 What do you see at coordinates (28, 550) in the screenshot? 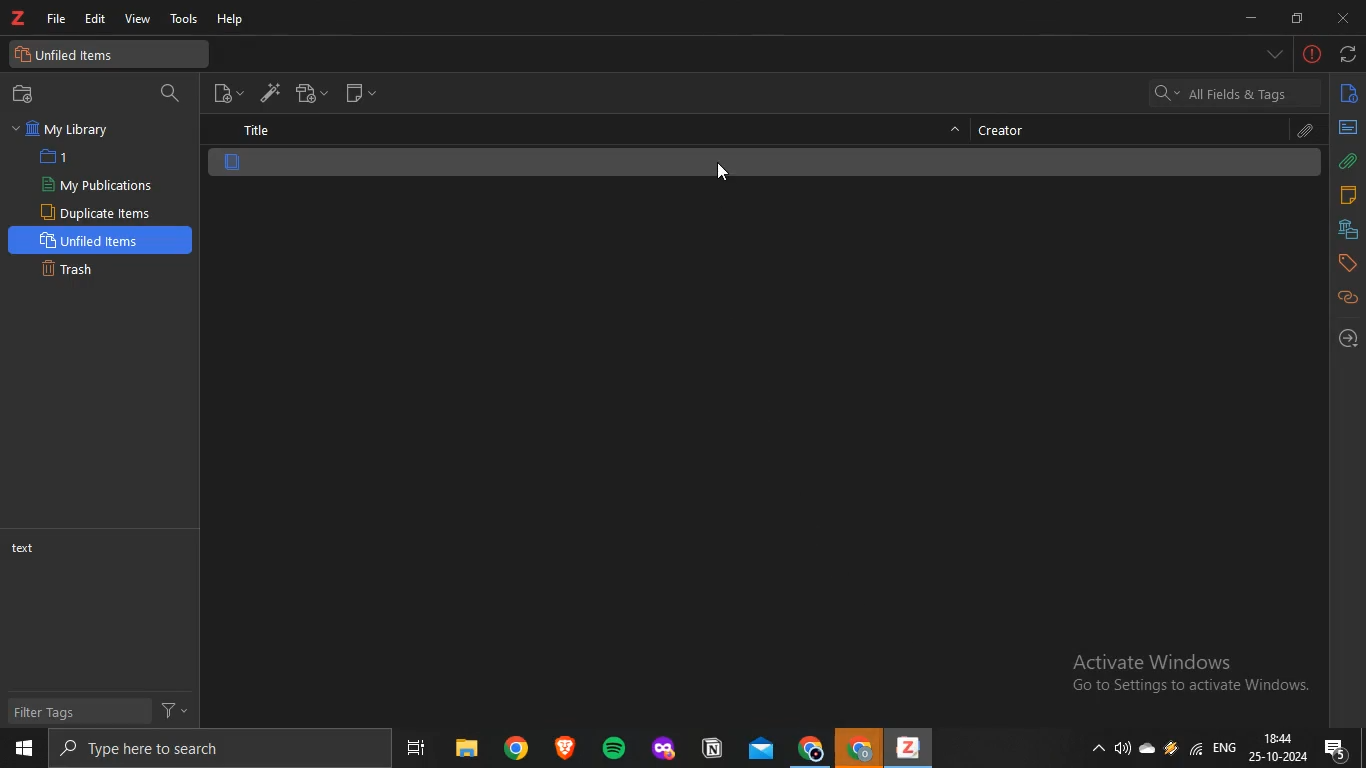
I see `text` at bounding box center [28, 550].